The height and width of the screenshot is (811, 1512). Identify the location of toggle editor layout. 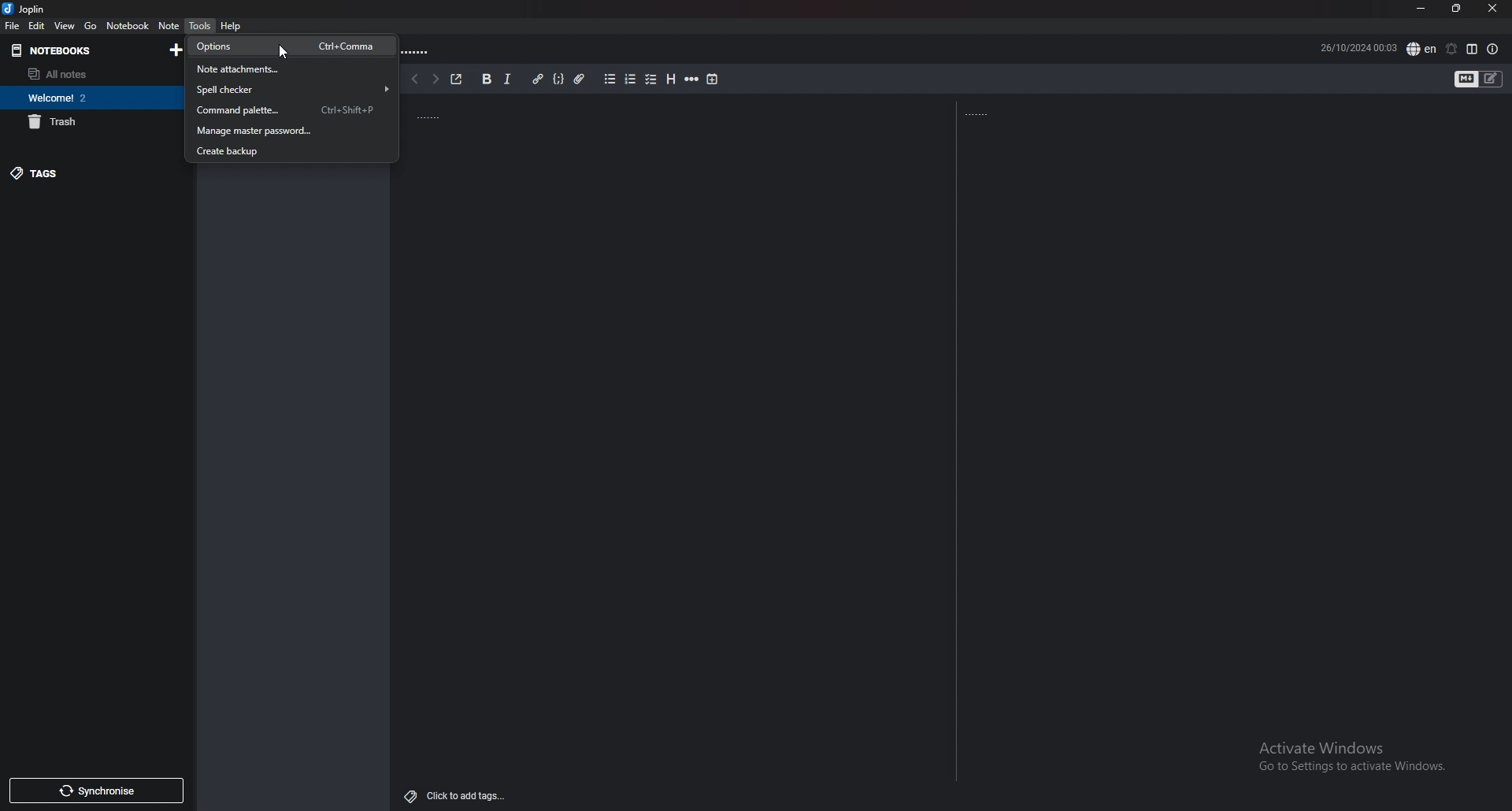
(1473, 49).